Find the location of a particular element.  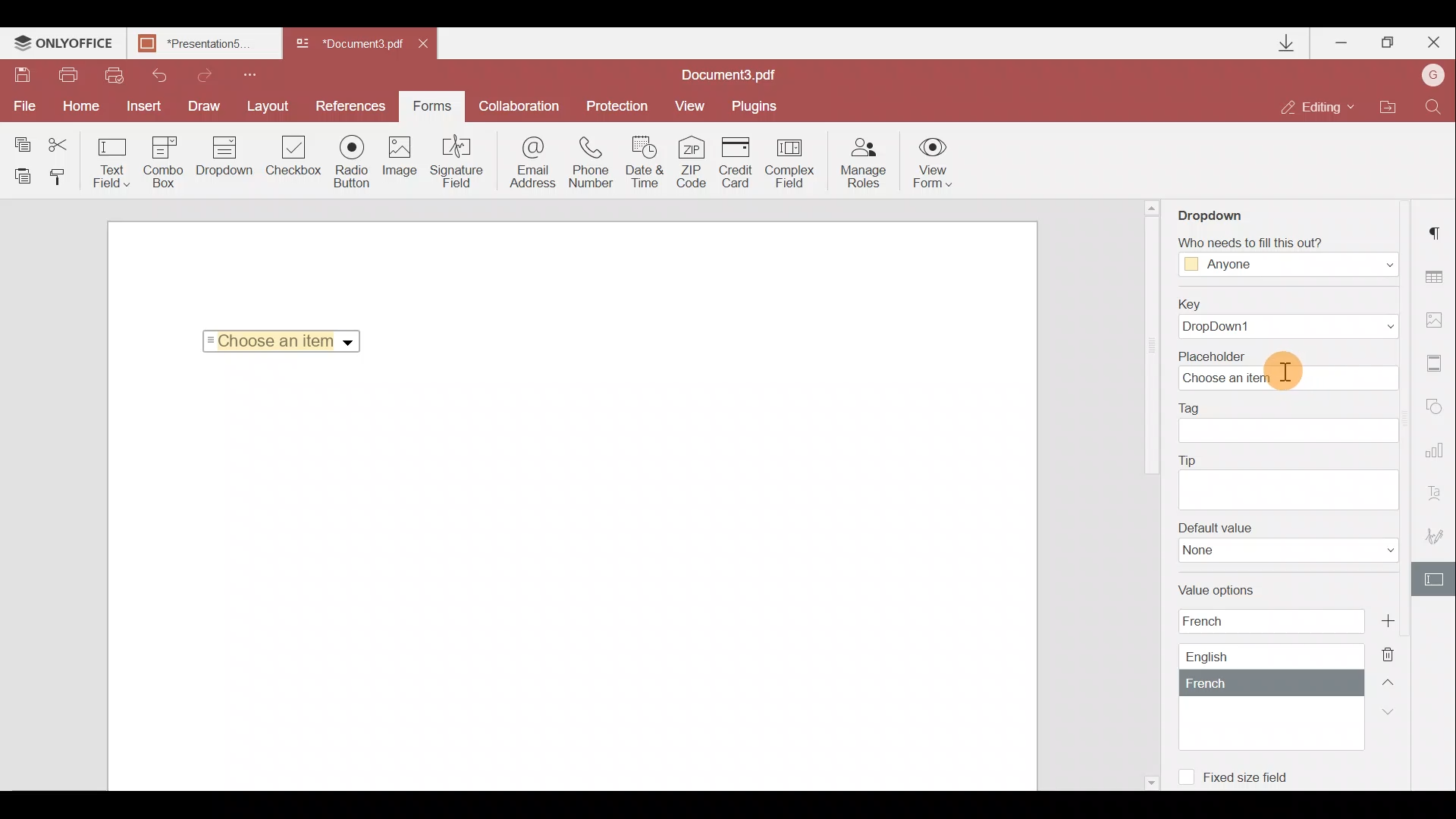

Dropdown is located at coordinates (1224, 210).